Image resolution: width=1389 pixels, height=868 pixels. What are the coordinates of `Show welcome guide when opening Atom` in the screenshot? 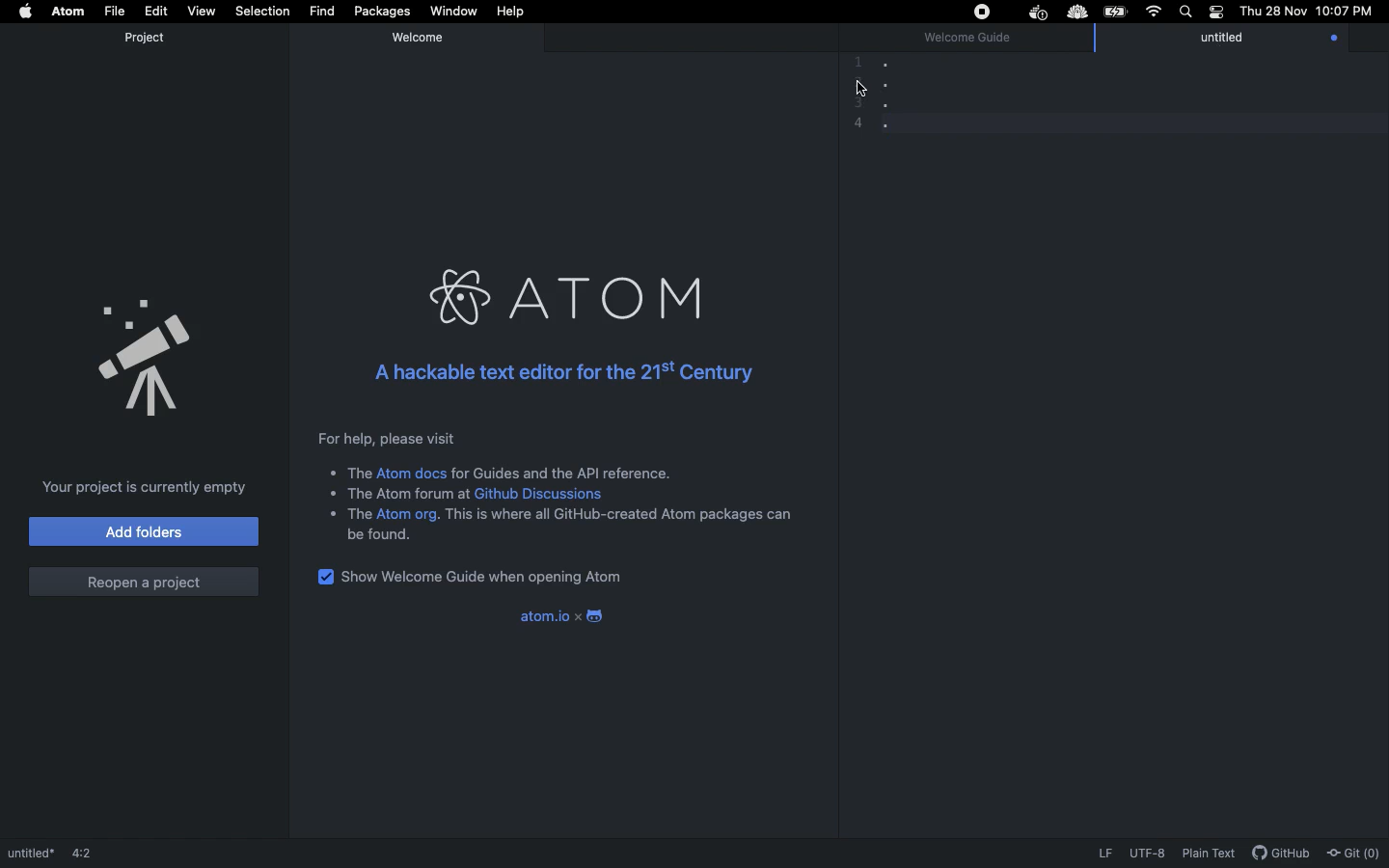 It's located at (492, 577).